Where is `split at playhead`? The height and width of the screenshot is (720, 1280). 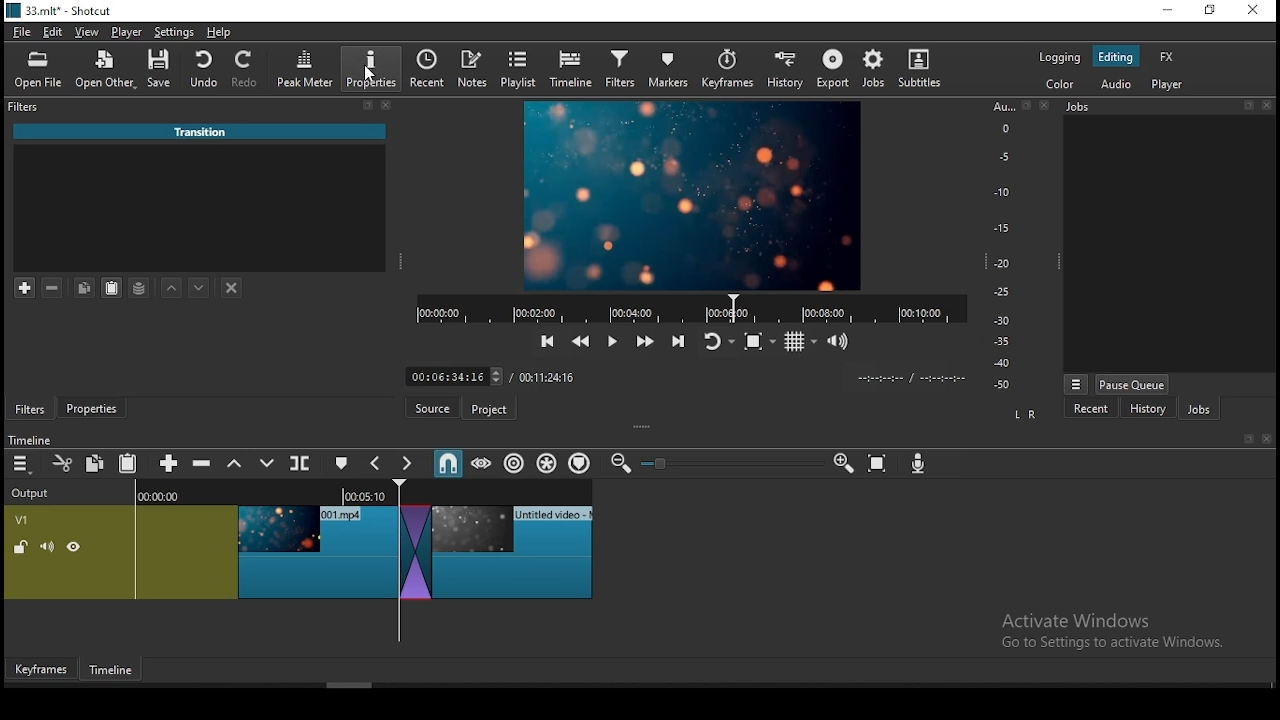
split at playhead is located at coordinates (302, 465).